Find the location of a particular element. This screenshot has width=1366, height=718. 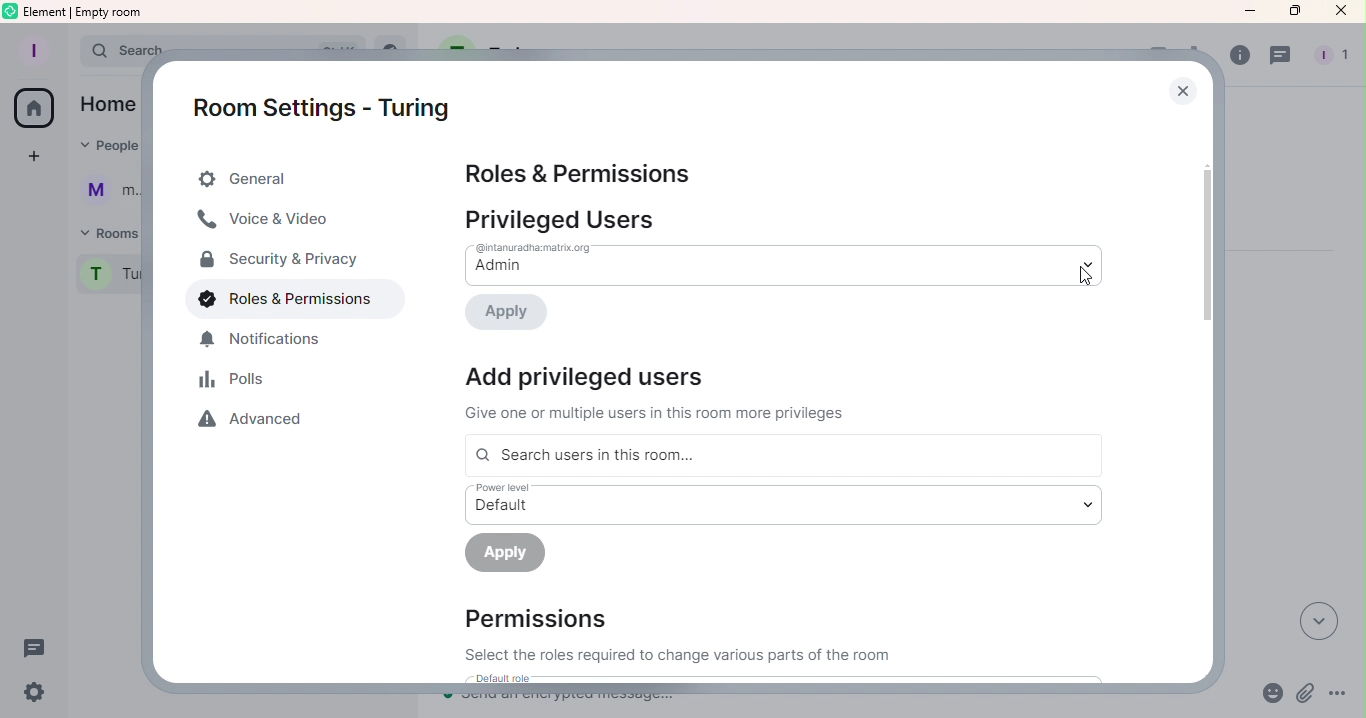

Rooms is located at coordinates (107, 230).